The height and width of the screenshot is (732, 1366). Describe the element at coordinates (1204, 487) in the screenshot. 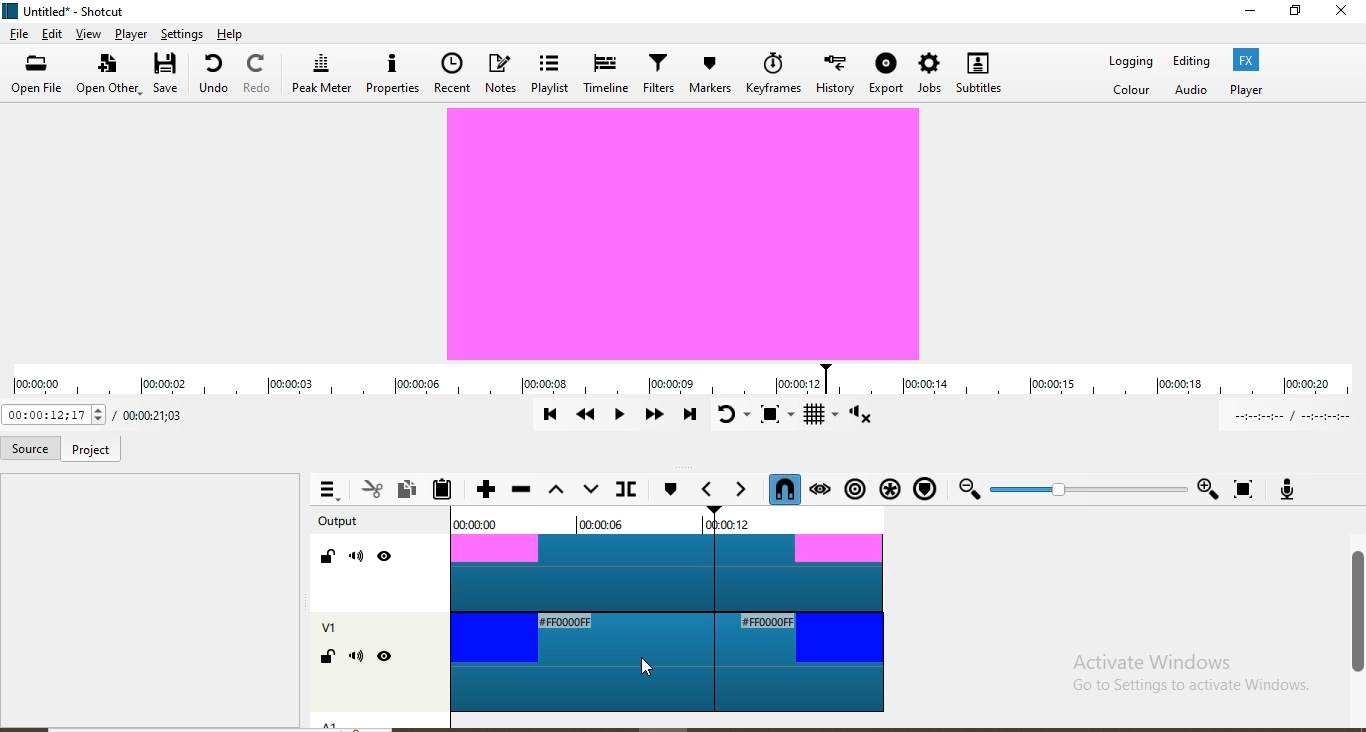

I see `Zoom in` at that location.